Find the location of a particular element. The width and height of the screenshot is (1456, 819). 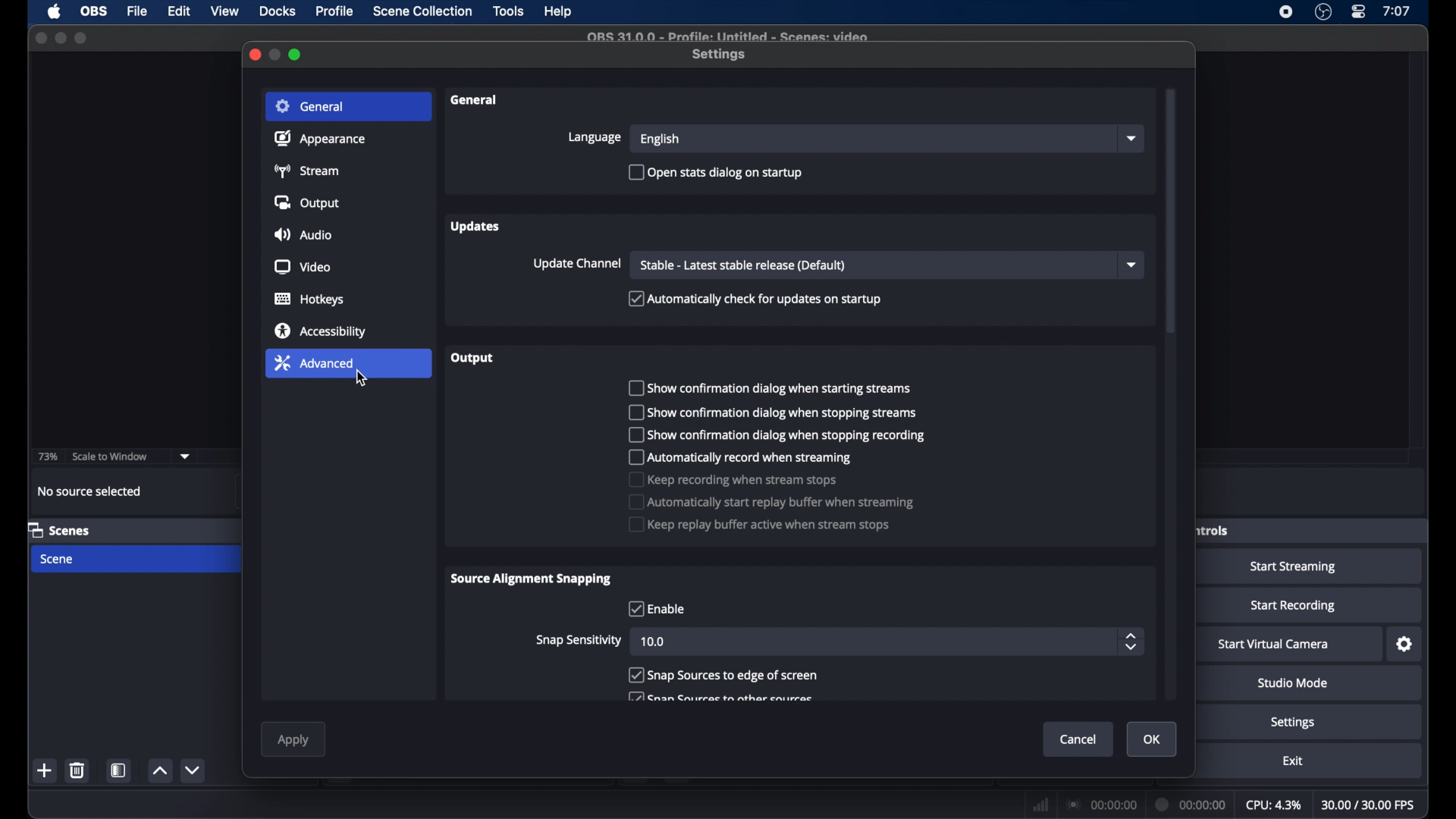

accessibility is located at coordinates (320, 331).